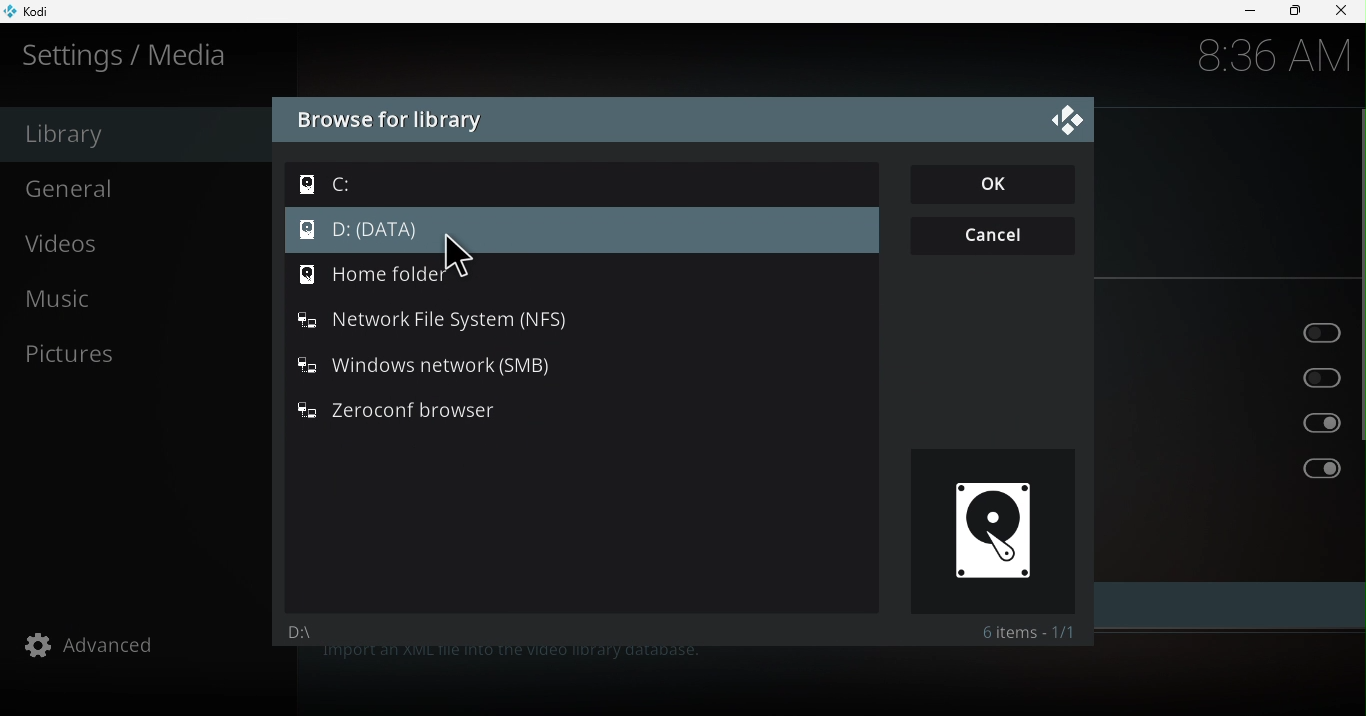 This screenshot has height=716, width=1366. I want to click on Browse for library, so click(389, 121).